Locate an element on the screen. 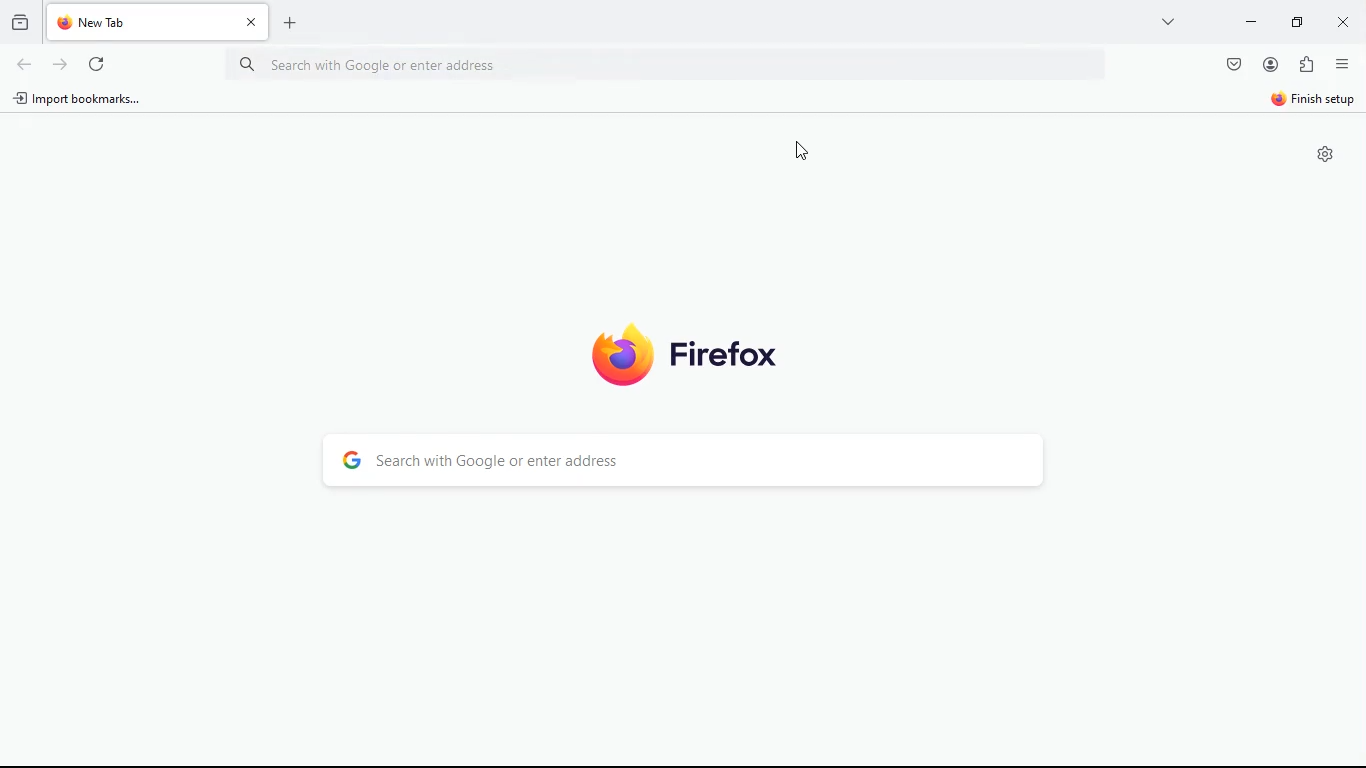 The height and width of the screenshot is (768, 1366). pocket is located at coordinates (1232, 66).